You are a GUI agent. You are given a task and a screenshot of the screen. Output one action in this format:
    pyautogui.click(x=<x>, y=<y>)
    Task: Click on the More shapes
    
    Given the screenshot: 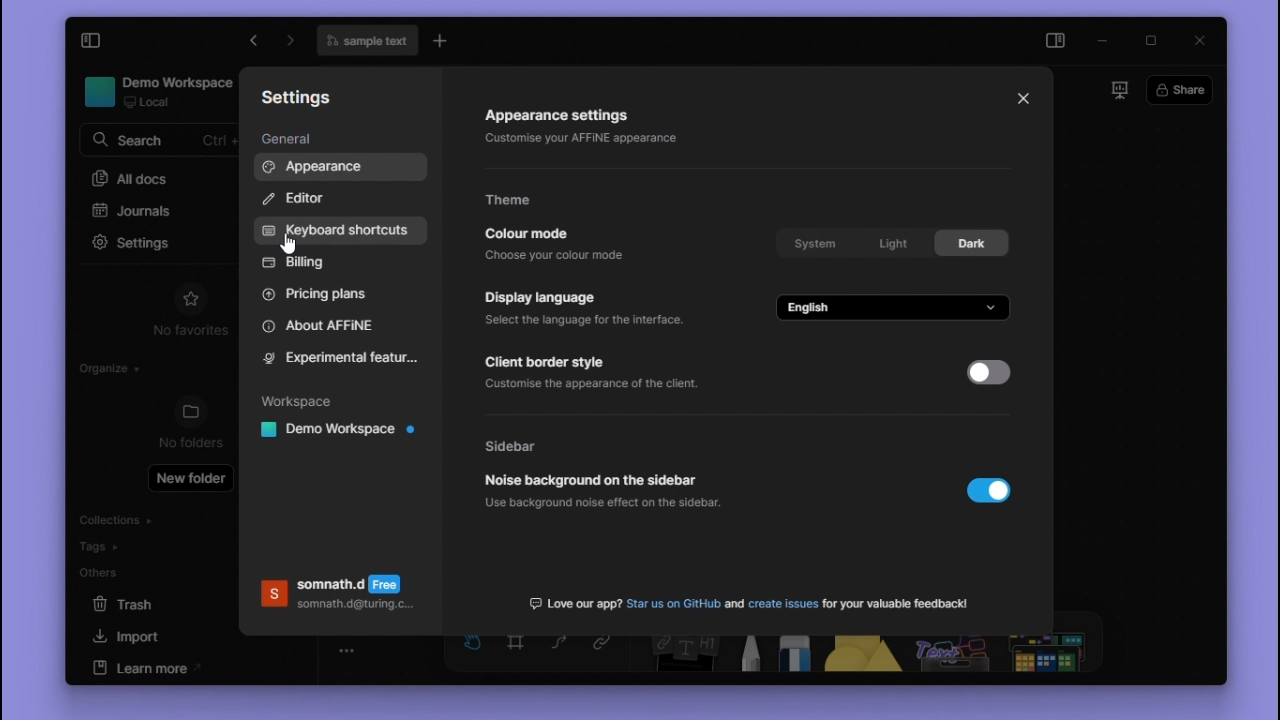 What is the action you would take?
    pyautogui.click(x=1053, y=656)
    